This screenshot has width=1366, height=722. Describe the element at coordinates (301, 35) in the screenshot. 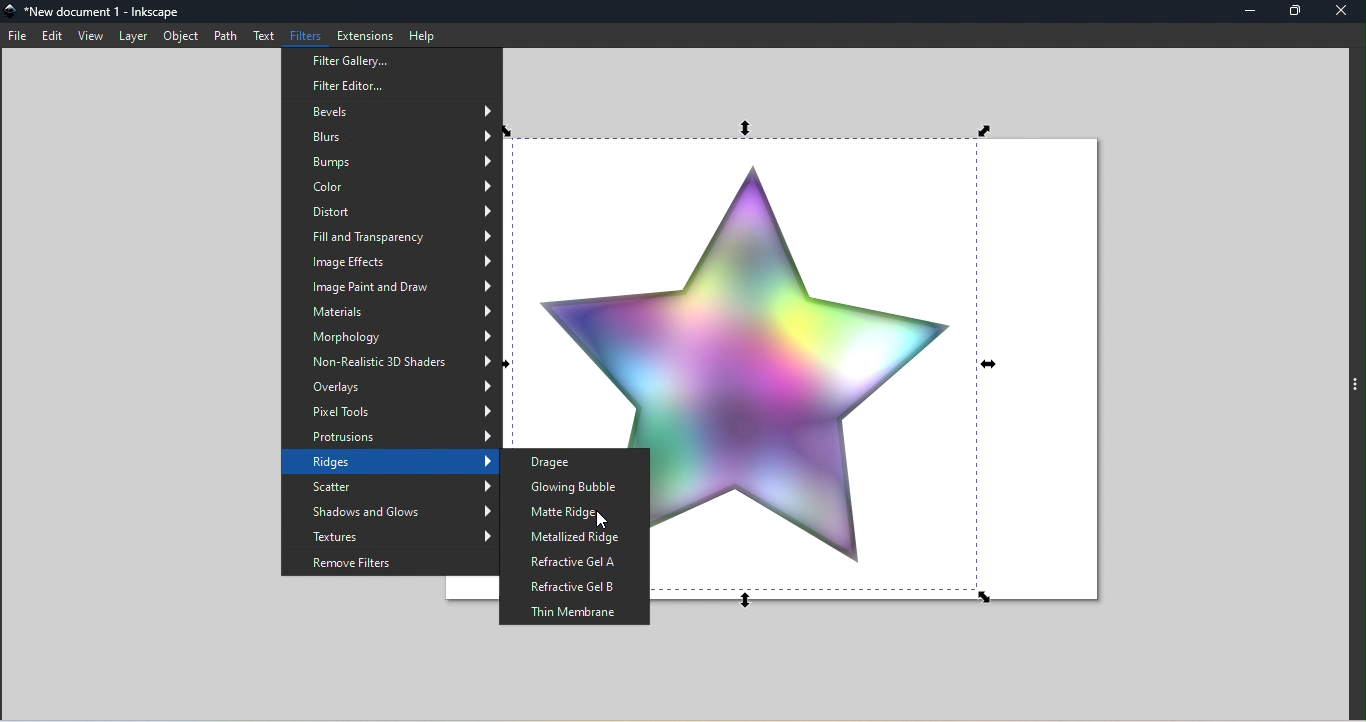

I see `Filters` at that location.